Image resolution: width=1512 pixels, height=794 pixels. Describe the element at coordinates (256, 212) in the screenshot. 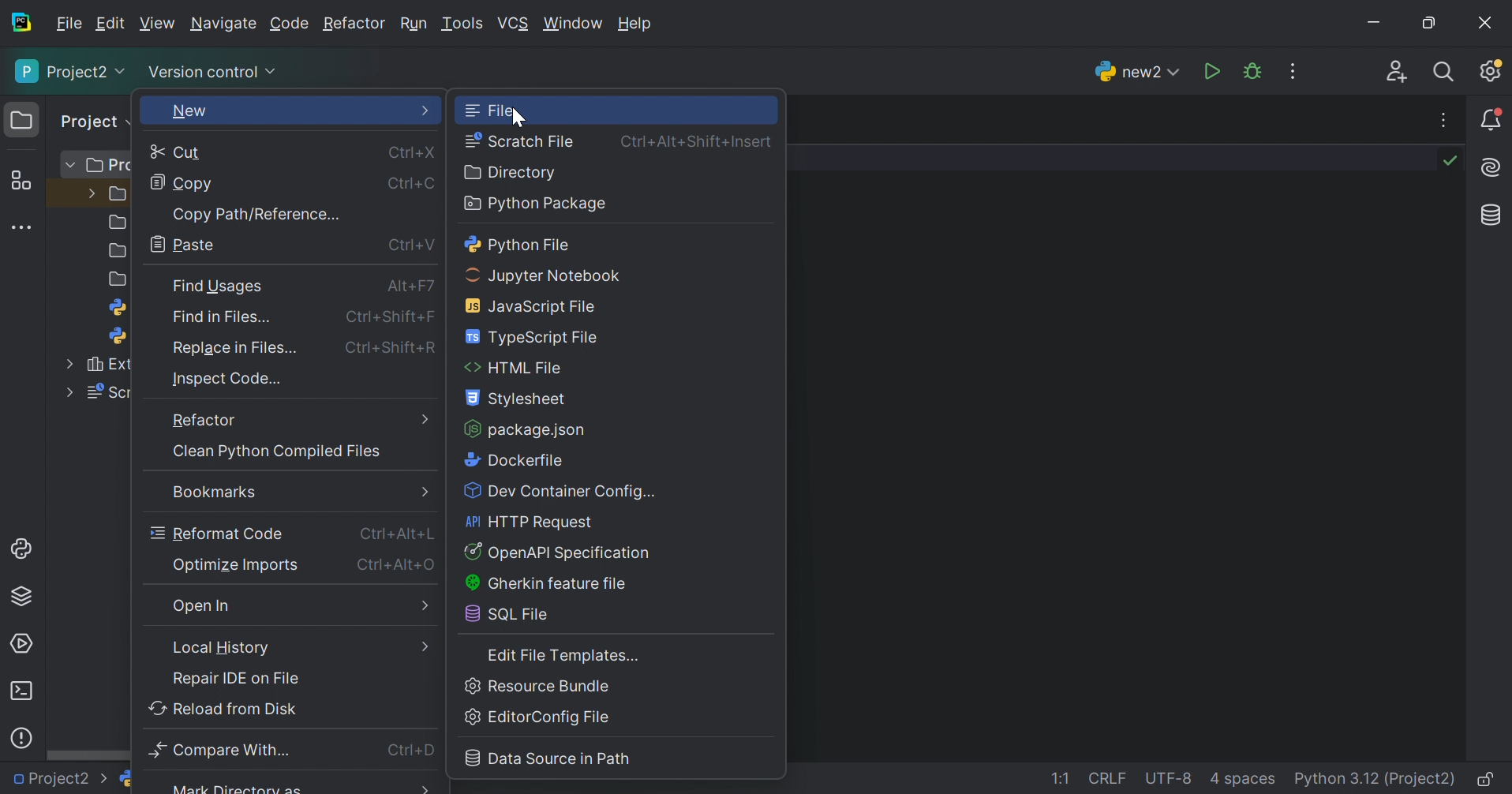

I see `Copy path/reference...` at that location.